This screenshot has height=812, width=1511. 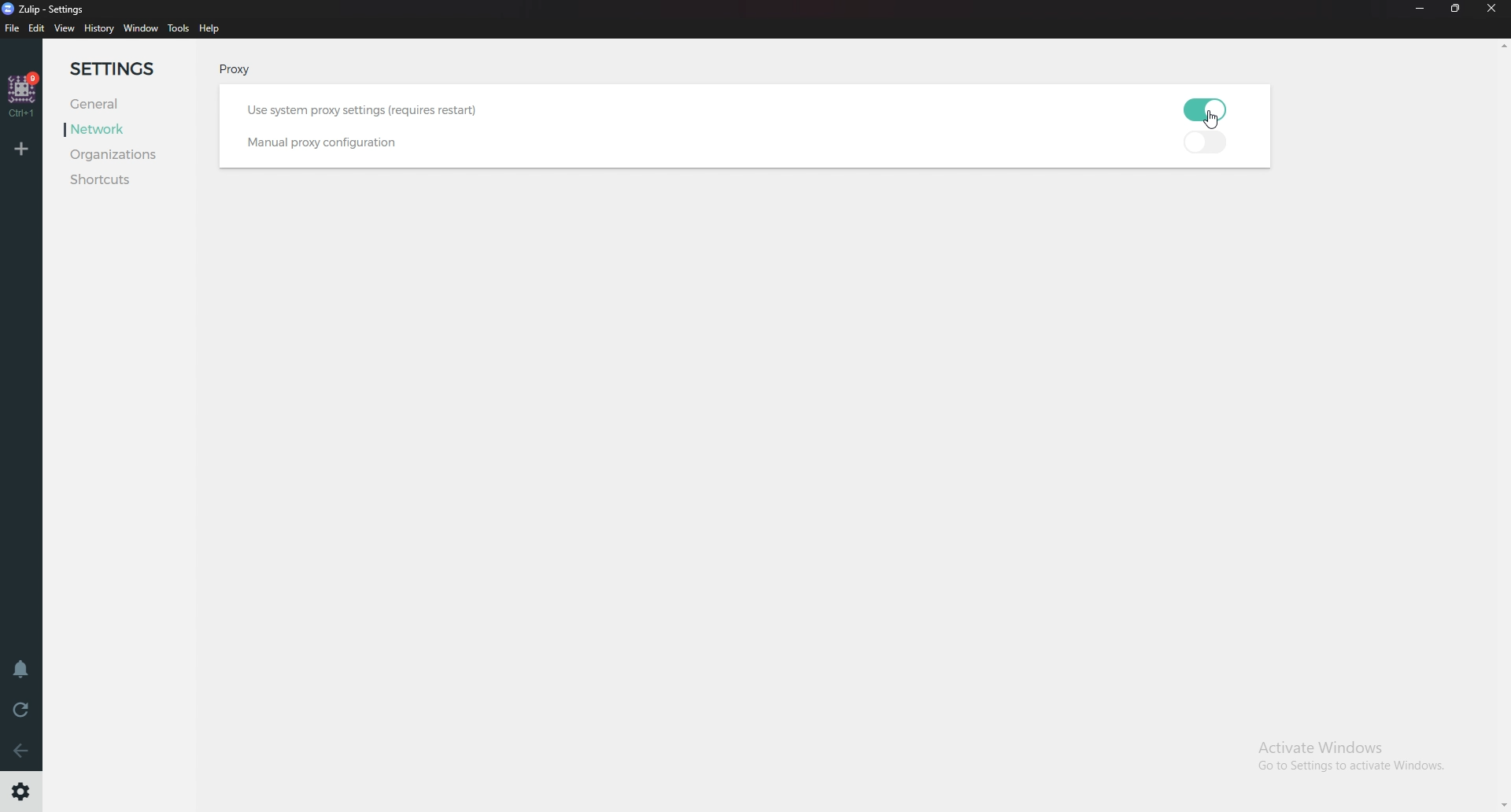 What do you see at coordinates (11, 28) in the screenshot?
I see `file` at bounding box center [11, 28].